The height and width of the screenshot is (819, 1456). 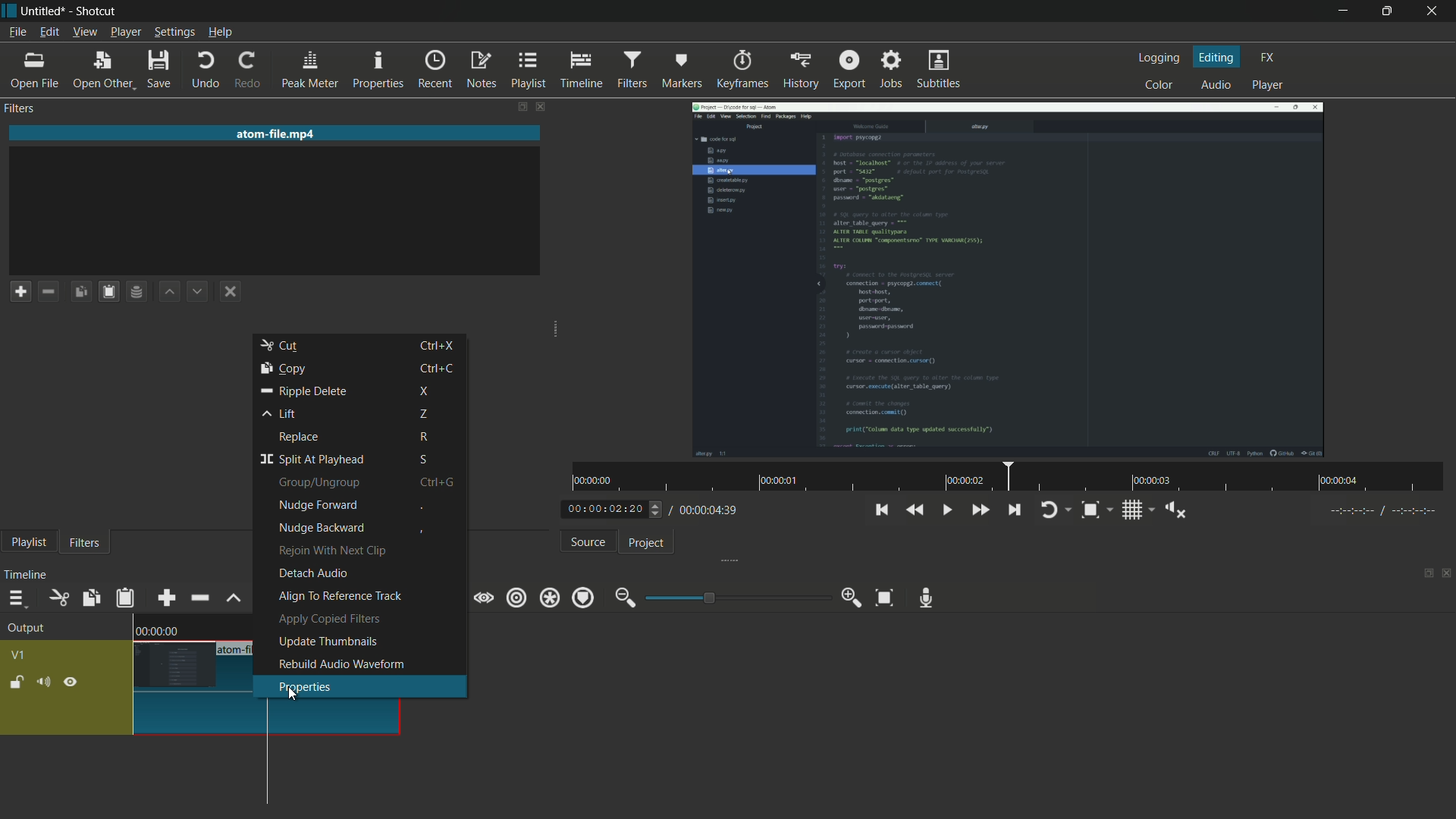 I want to click on v1, so click(x=17, y=657).